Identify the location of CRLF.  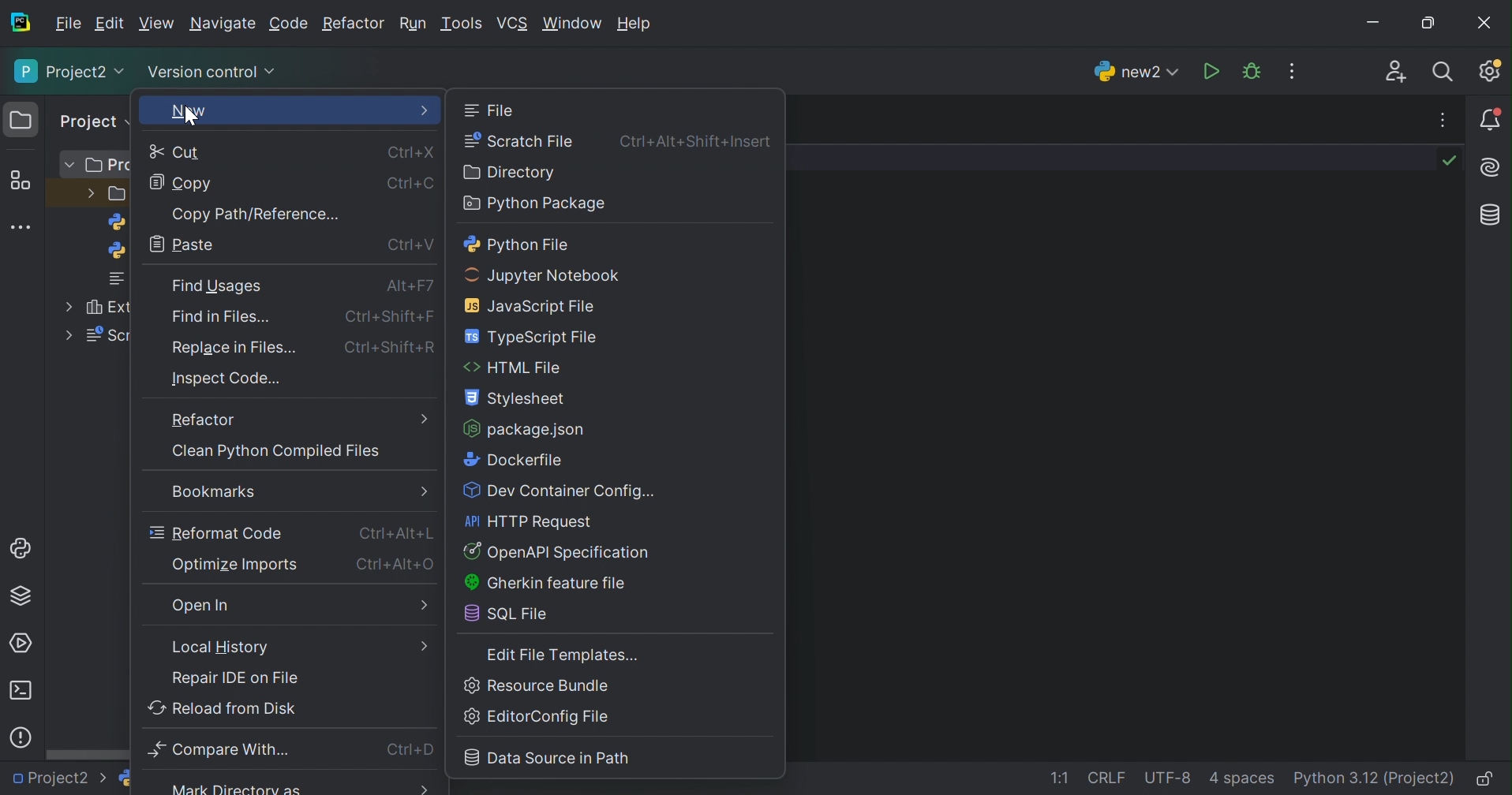
(1108, 778).